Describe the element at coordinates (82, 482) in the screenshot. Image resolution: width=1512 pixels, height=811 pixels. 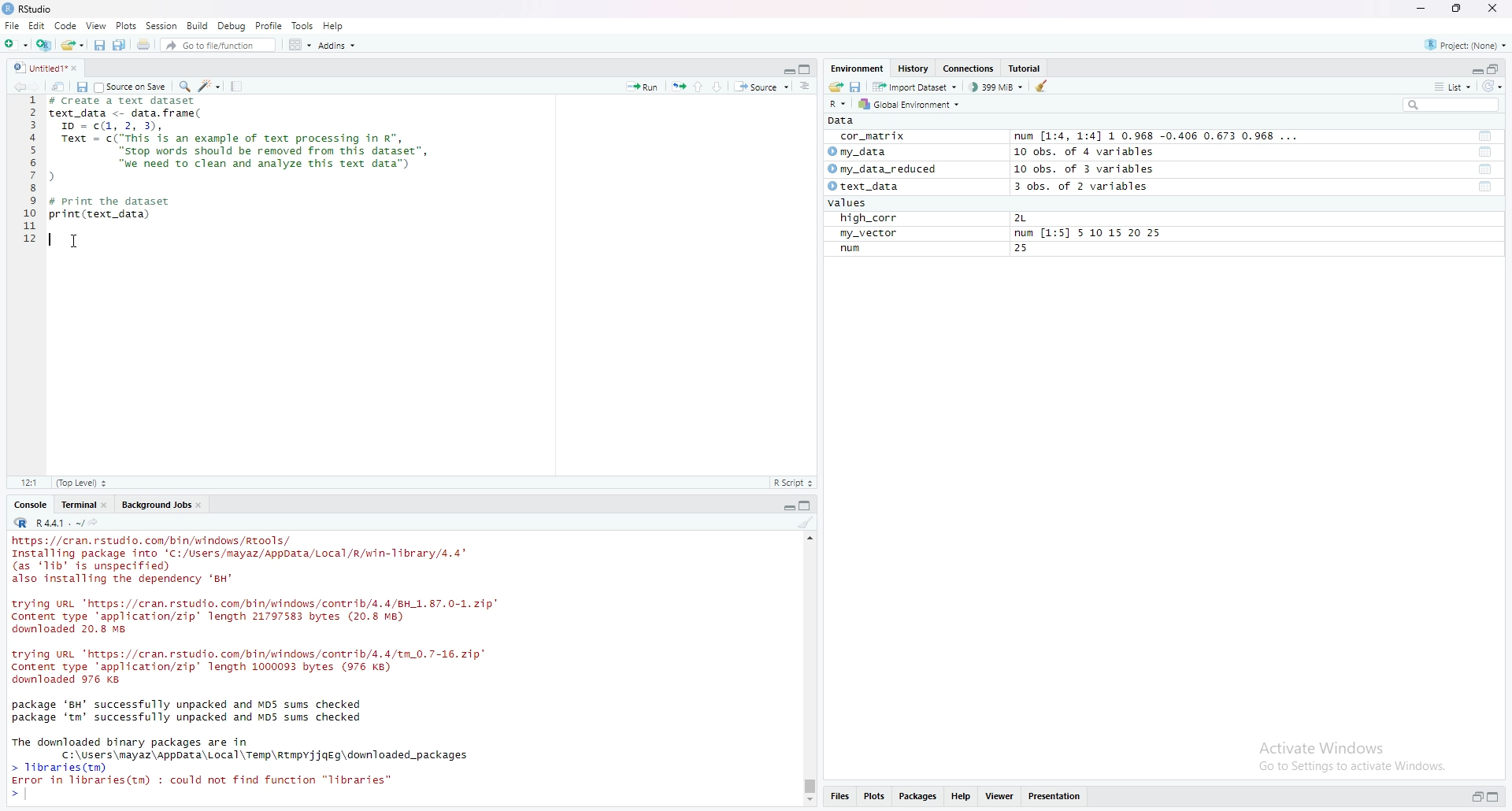
I see `Top level` at that location.